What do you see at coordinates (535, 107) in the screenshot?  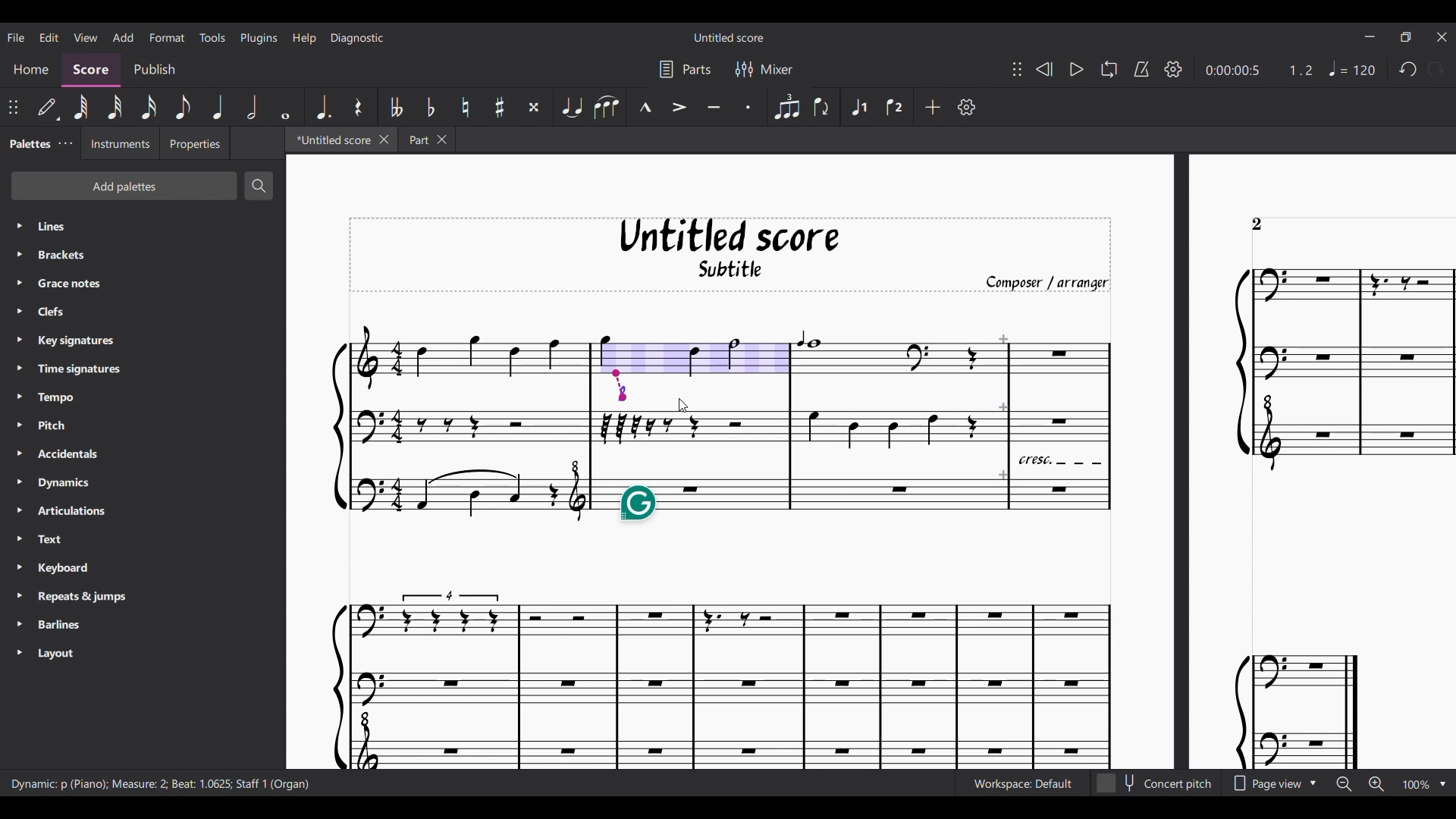 I see `Toggle double sharp` at bounding box center [535, 107].